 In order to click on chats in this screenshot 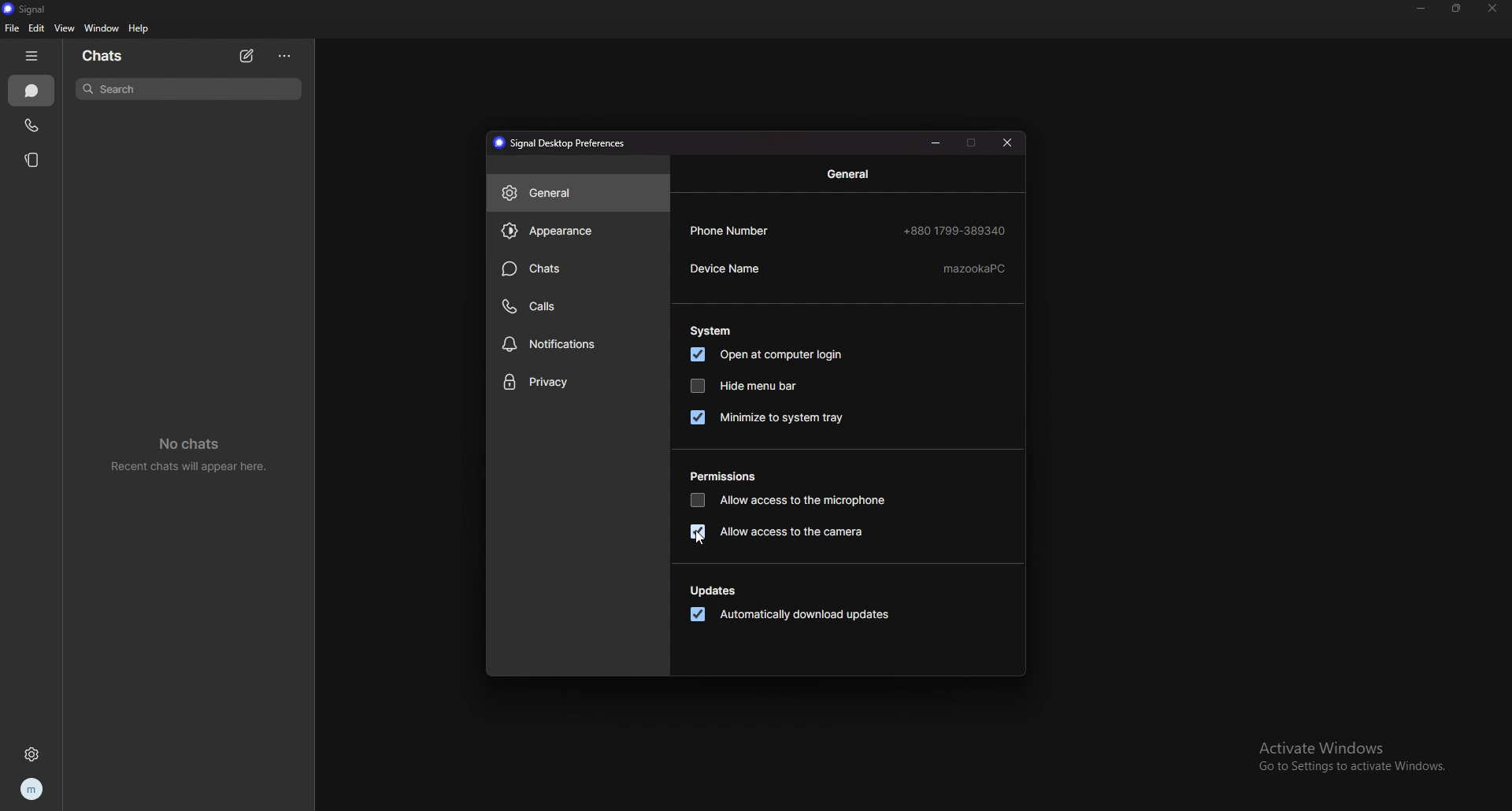, I will do `click(106, 56)`.